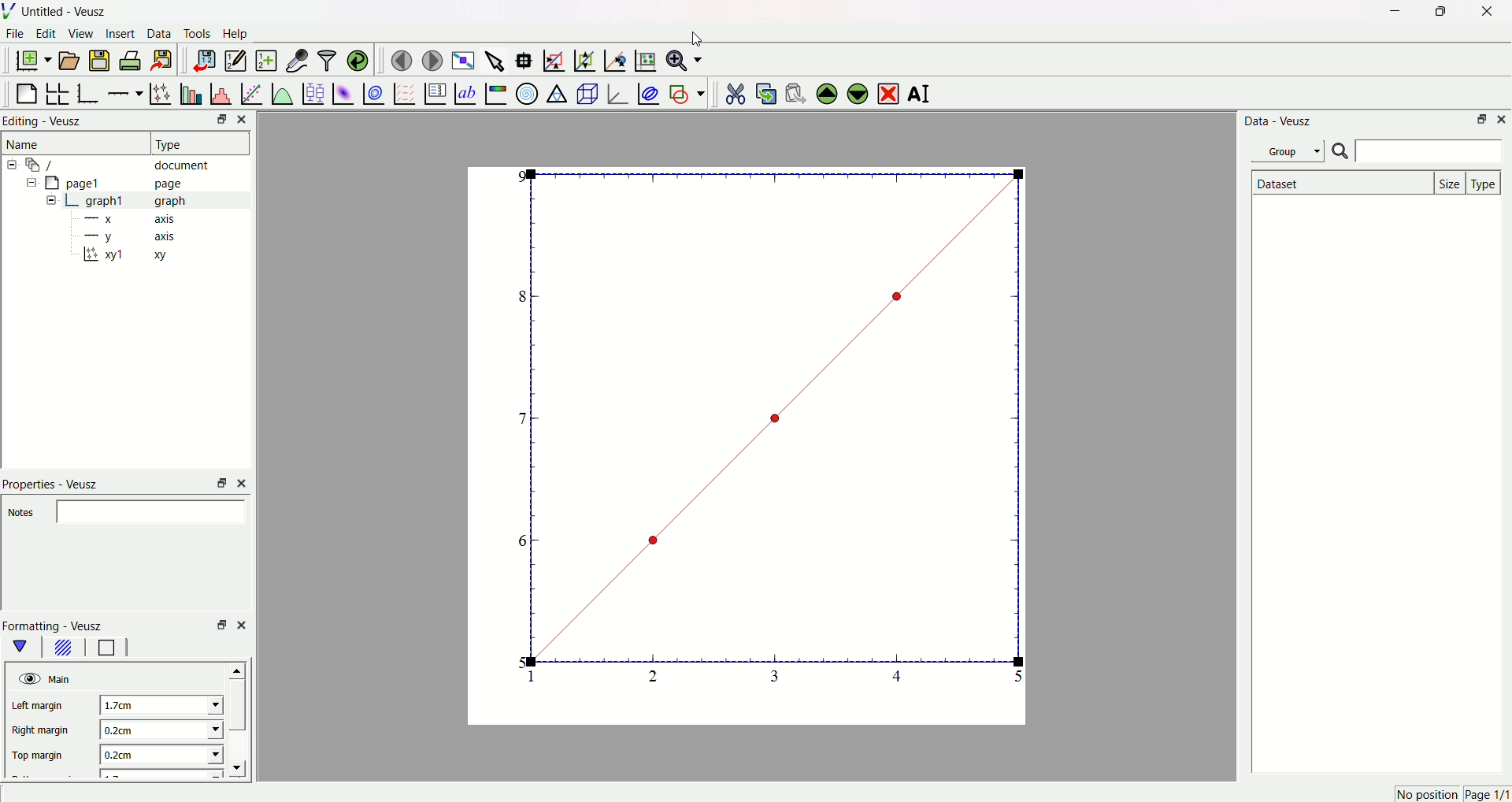 This screenshot has height=802, width=1512. I want to click on 0.2cm, so click(157, 730).